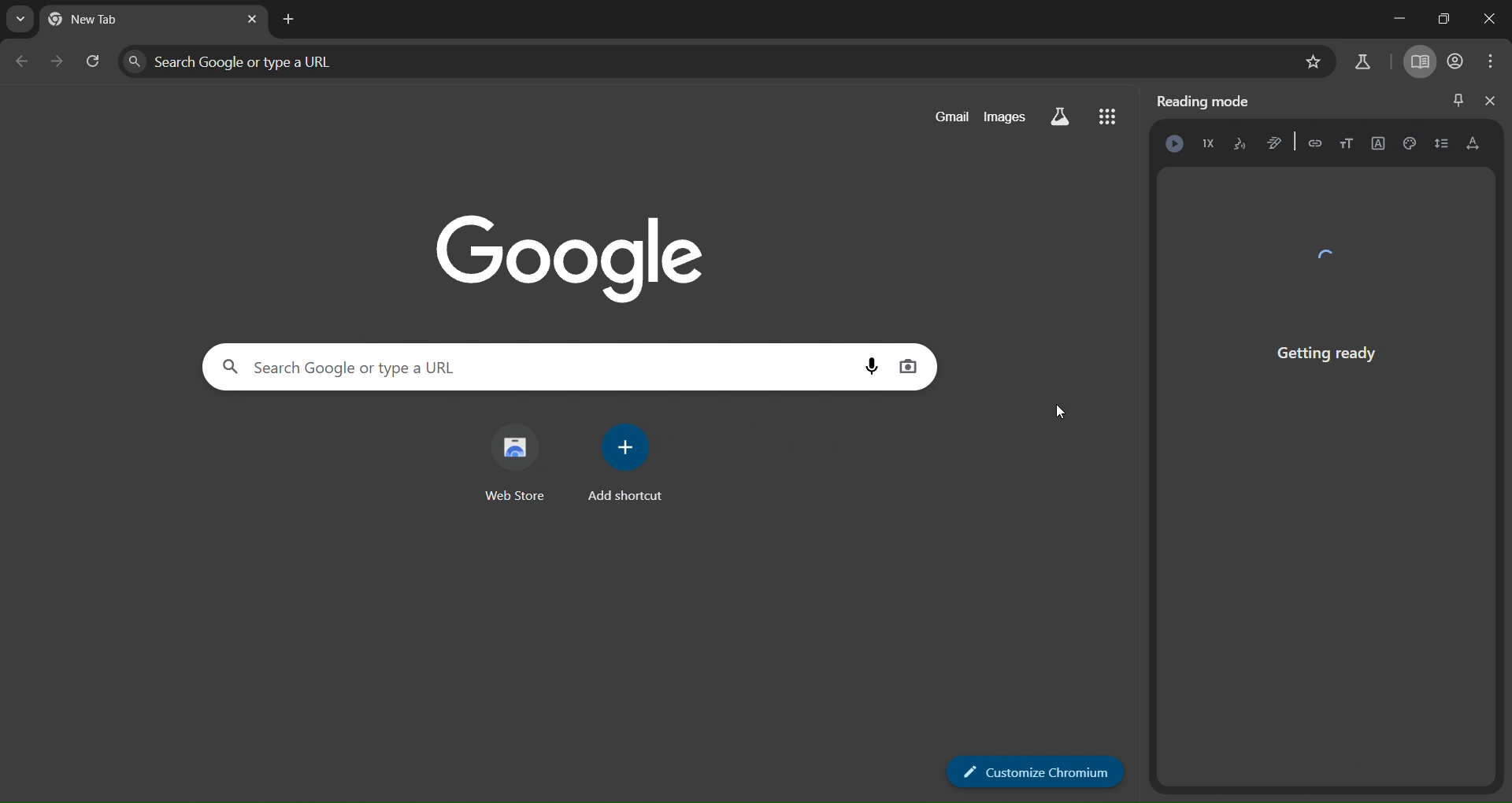 The width and height of the screenshot is (1512, 803). What do you see at coordinates (1393, 20) in the screenshot?
I see `minimize` at bounding box center [1393, 20].